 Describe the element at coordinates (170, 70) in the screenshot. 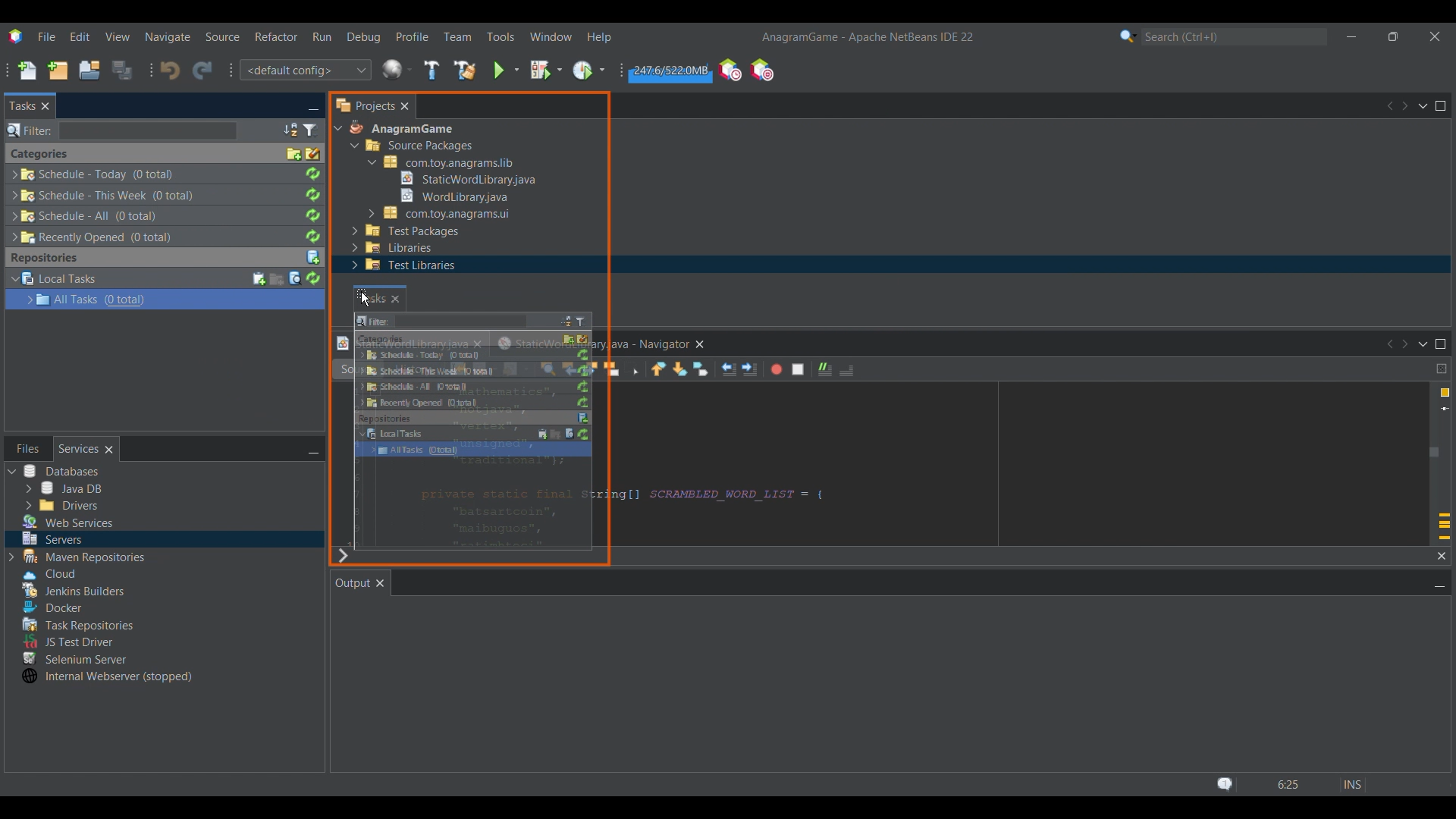

I see `Undo` at that location.